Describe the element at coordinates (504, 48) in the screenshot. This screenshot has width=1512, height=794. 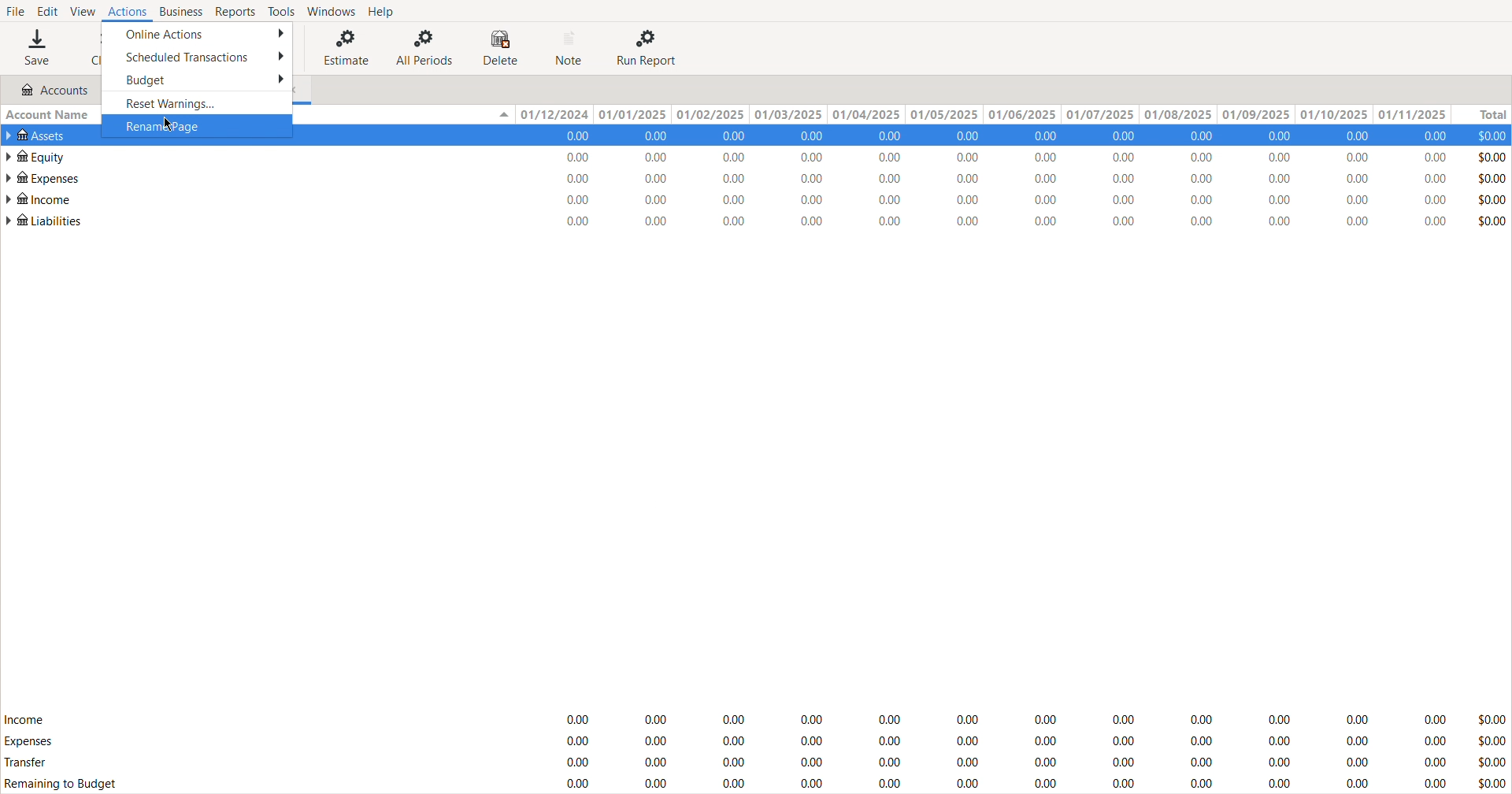
I see `Delete` at that location.